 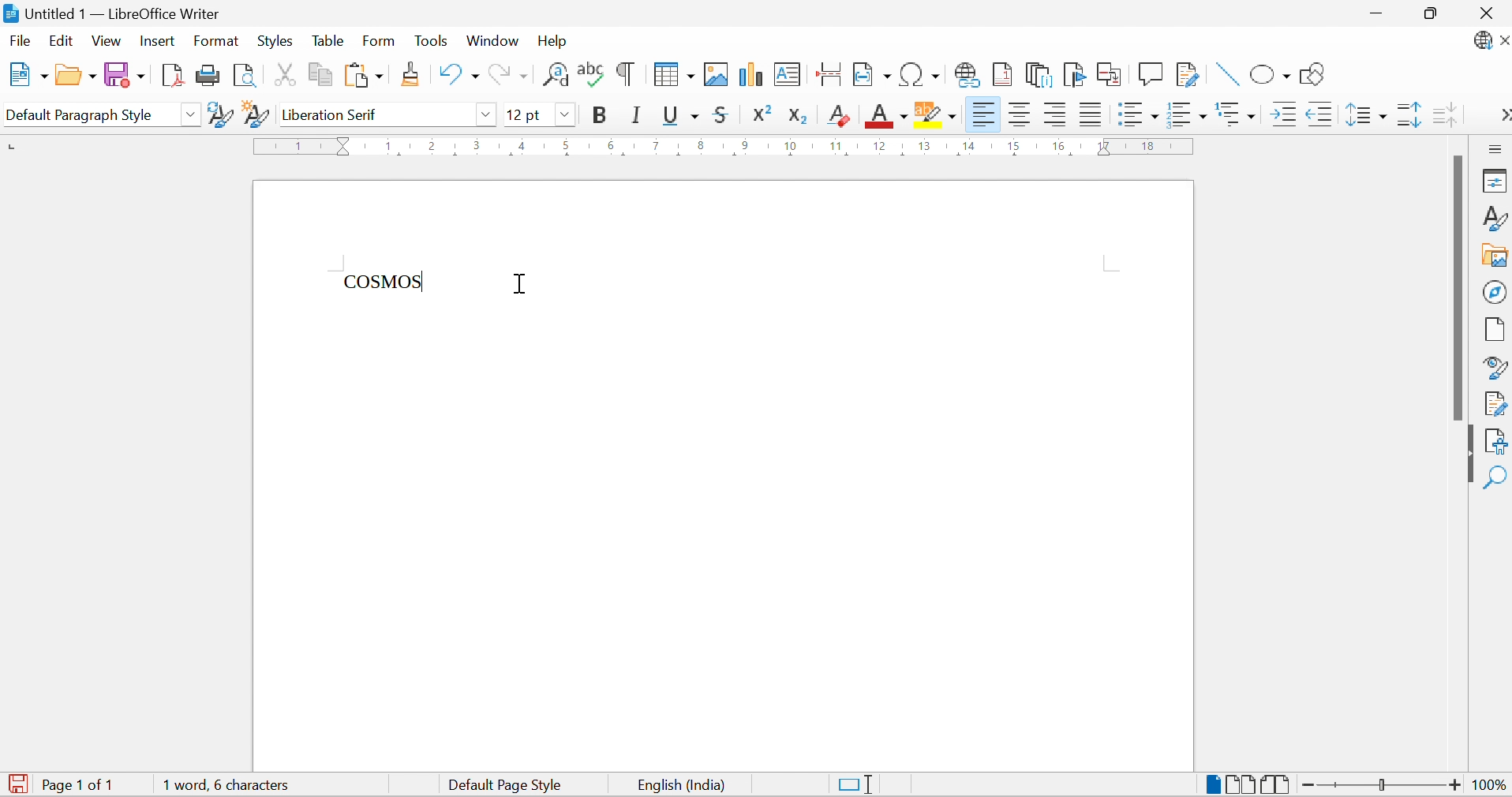 What do you see at coordinates (556, 40) in the screenshot?
I see `Help` at bounding box center [556, 40].